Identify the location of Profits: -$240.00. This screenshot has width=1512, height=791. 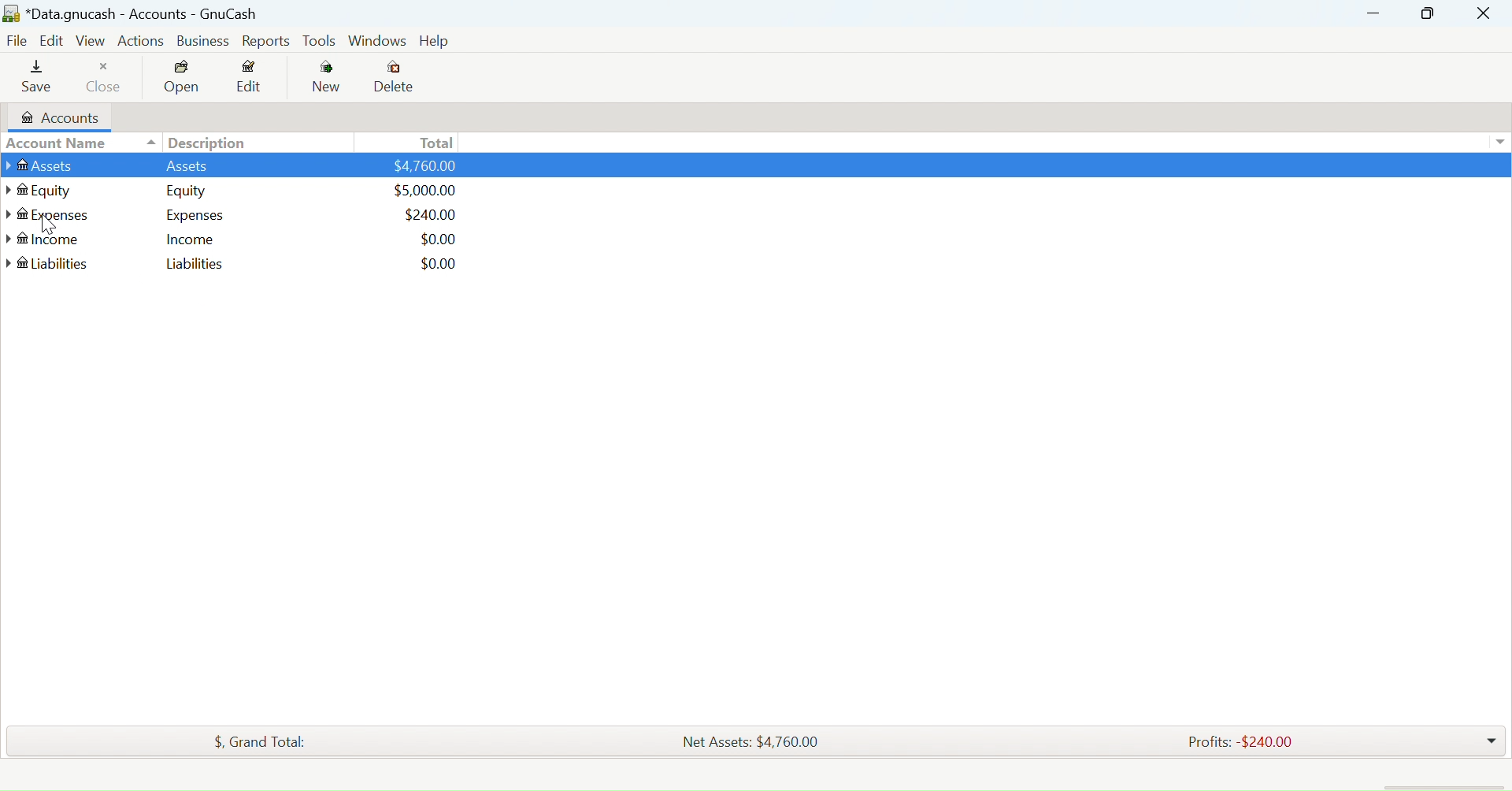
(1239, 742).